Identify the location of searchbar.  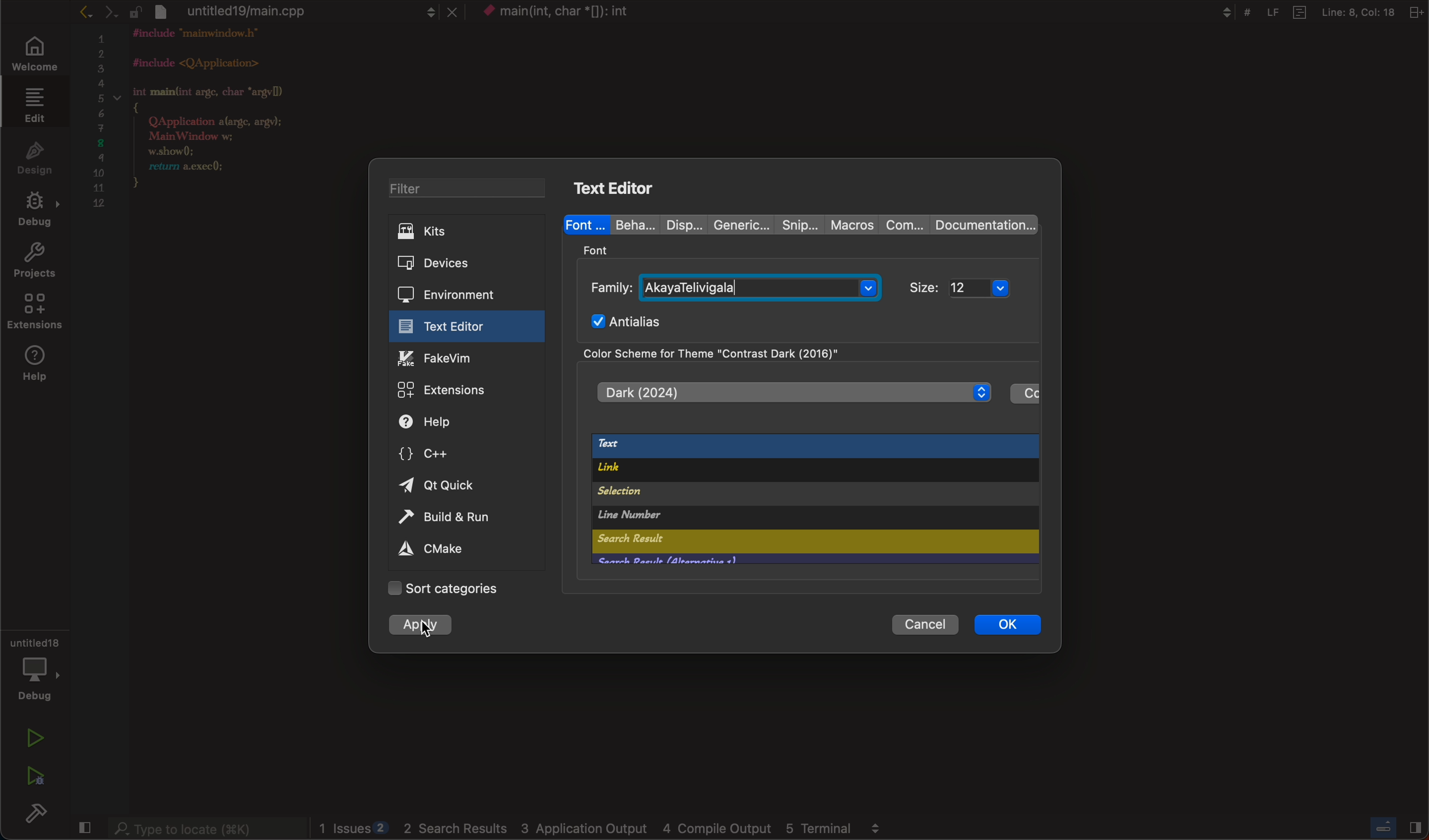
(206, 827).